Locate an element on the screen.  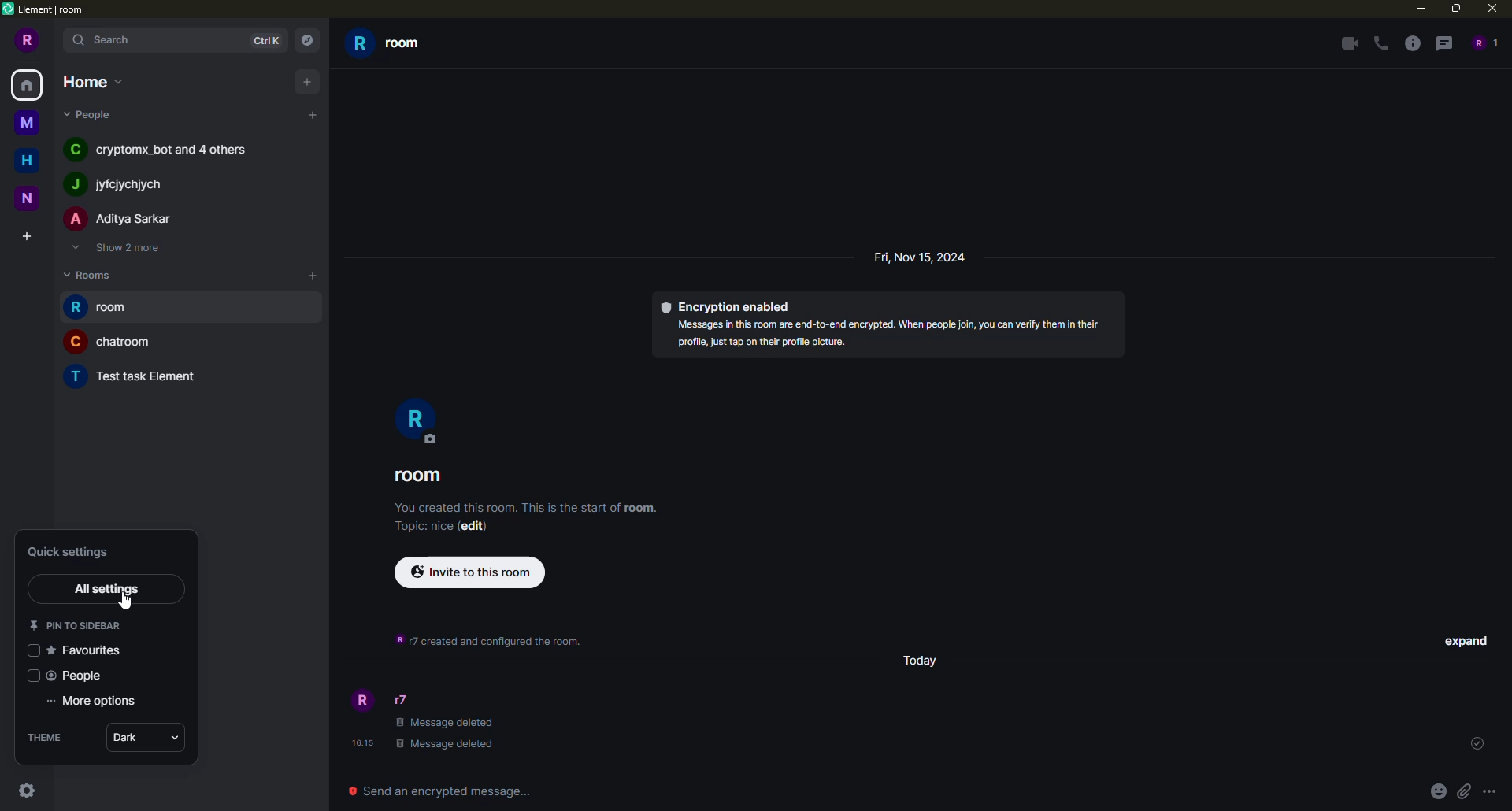
element is located at coordinates (46, 10).